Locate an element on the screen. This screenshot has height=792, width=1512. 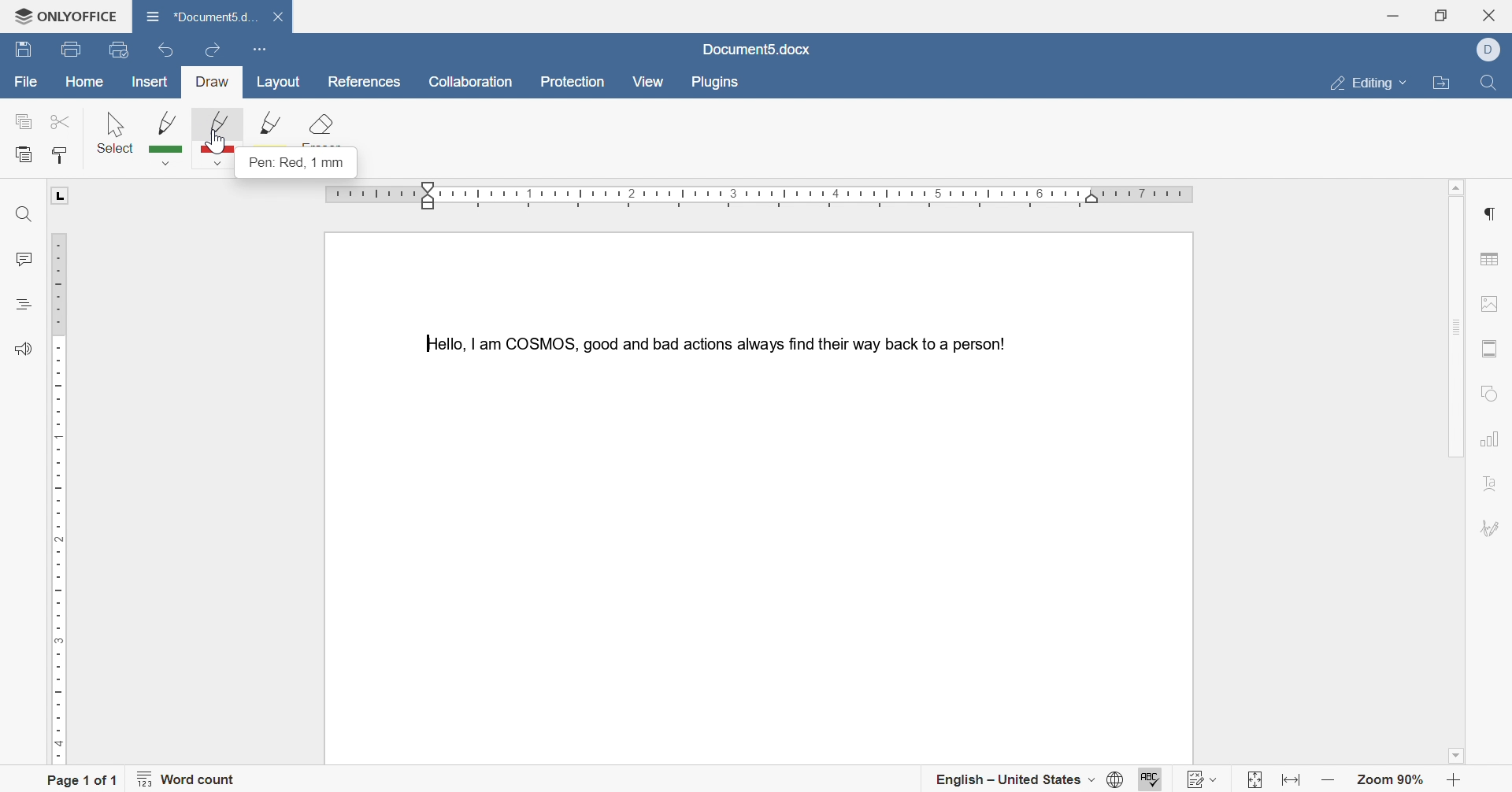
redo is located at coordinates (213, 46).